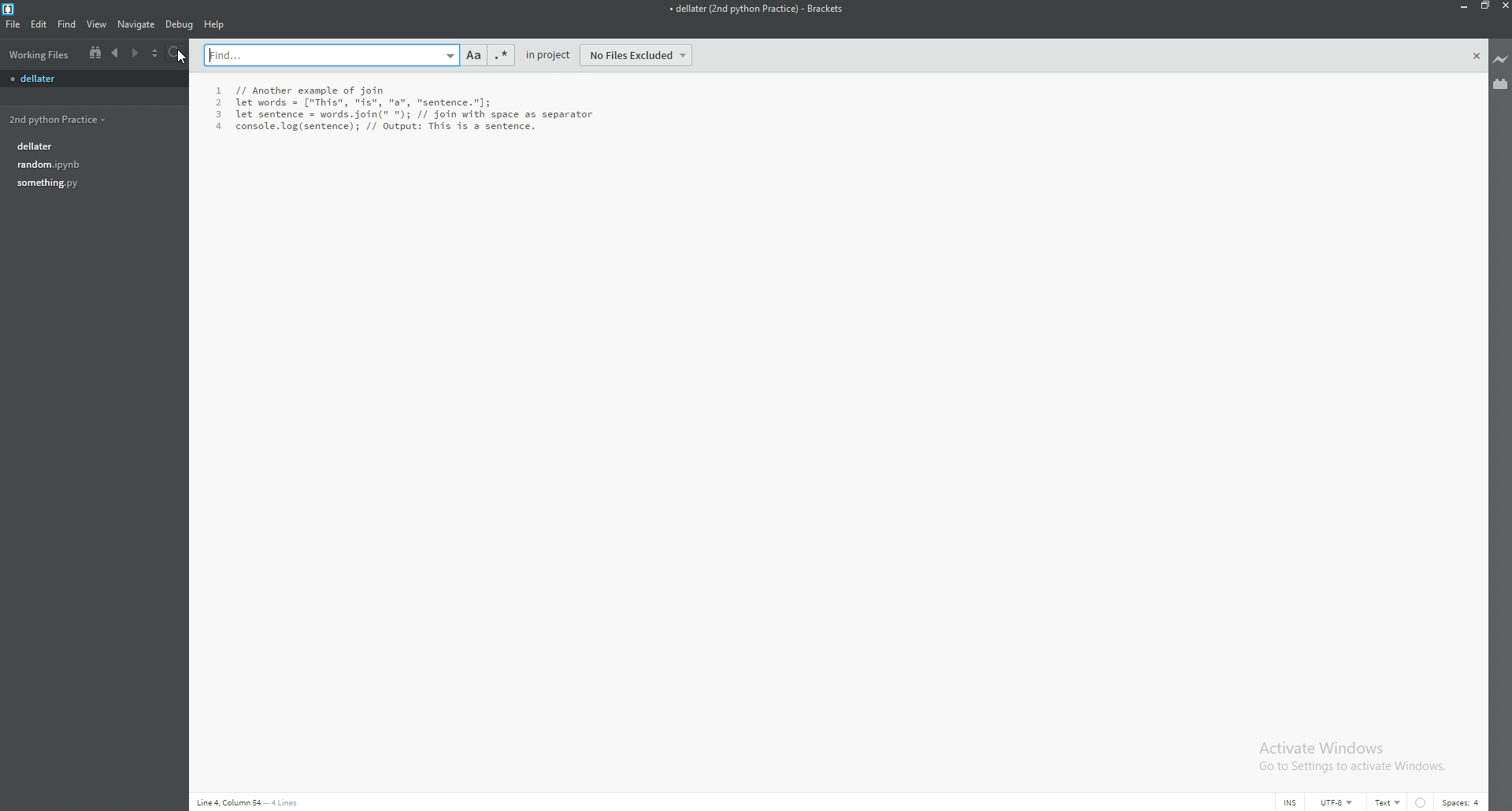 The image size is (1512, 811). I want to click on extension manager, so click(1502, 84).